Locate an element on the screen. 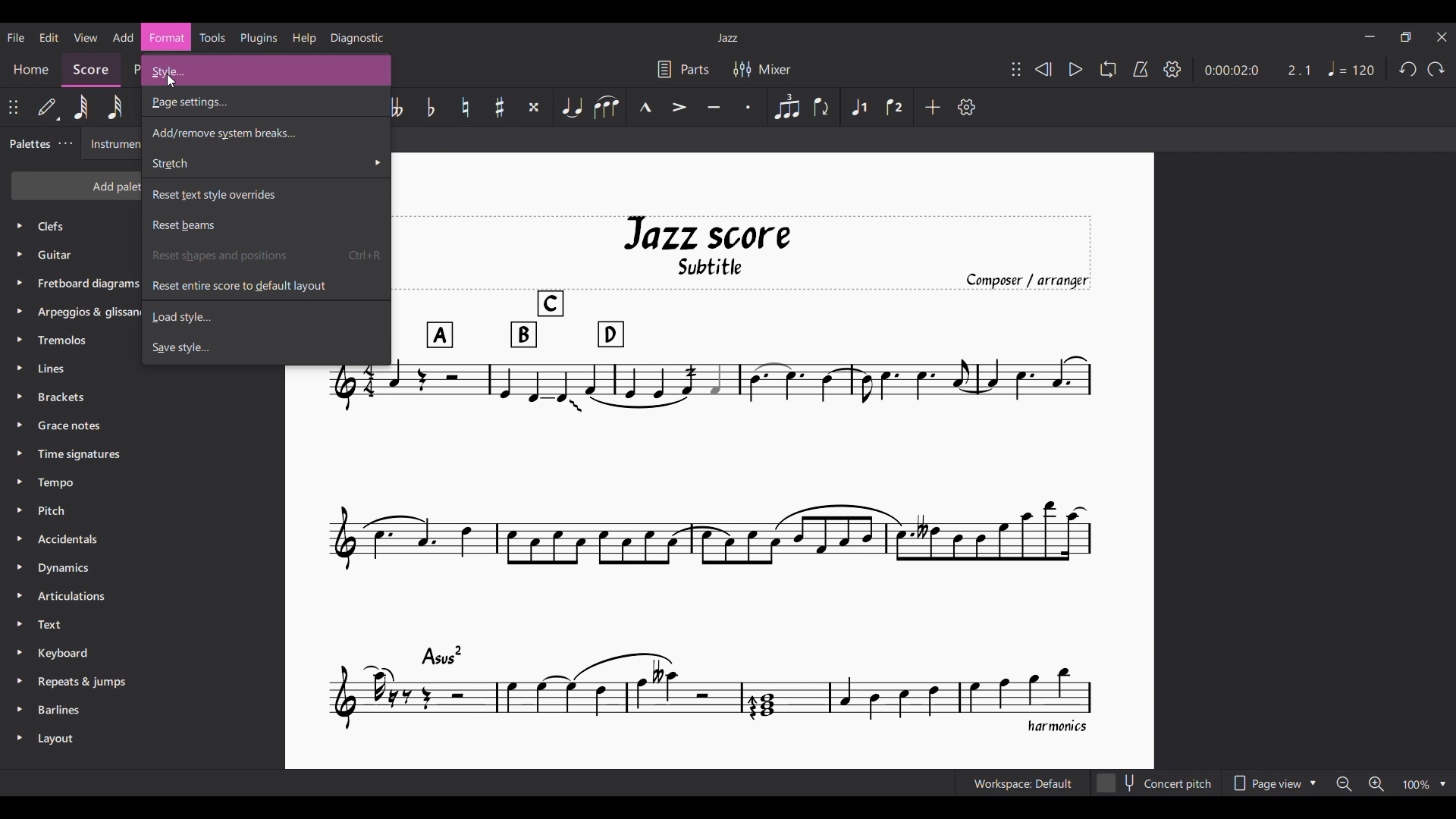  Barlines is located at coordinates (64, 711).